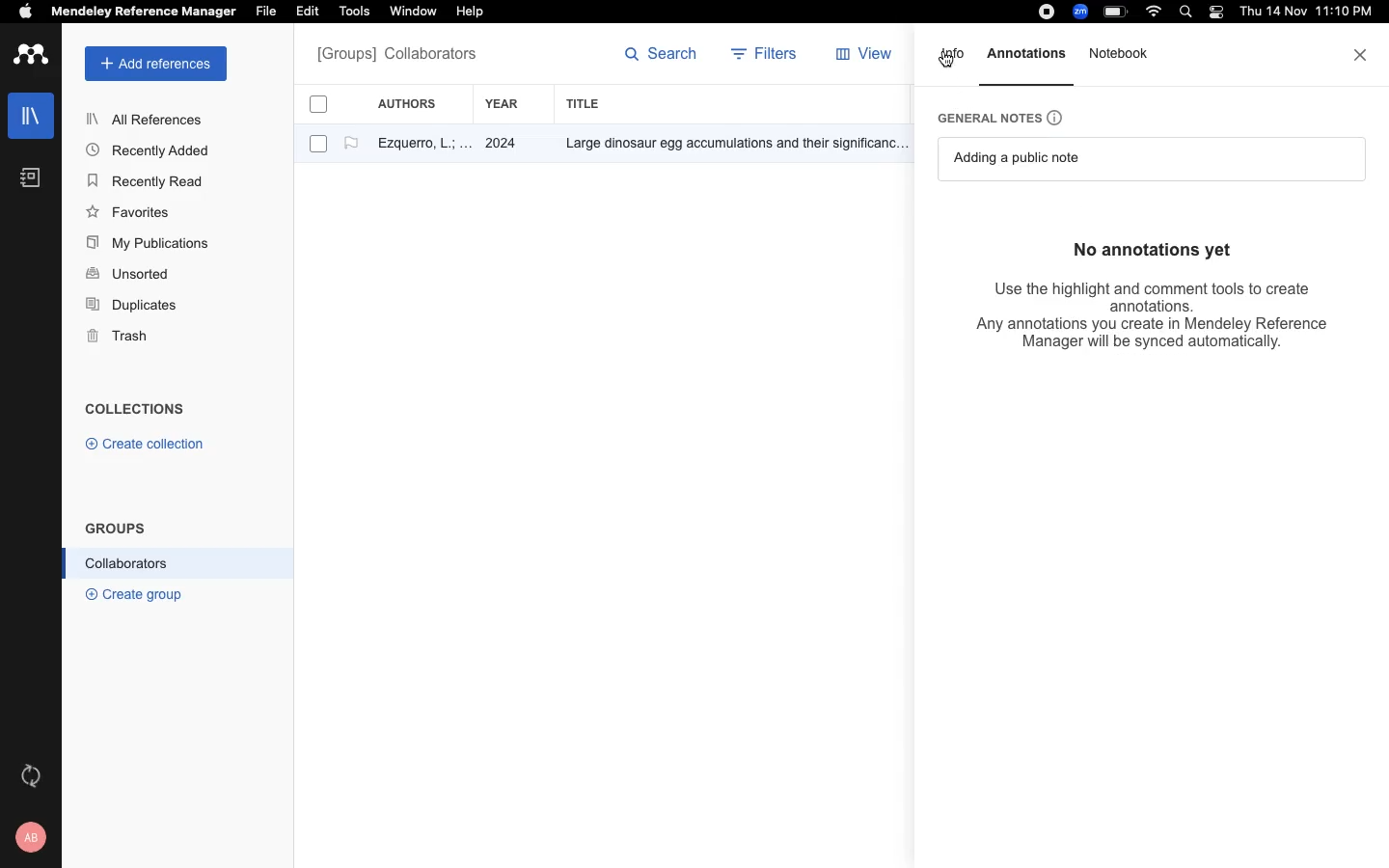 This screenshot has width=1389, height=868. What do you see at coordinates (127, 563) in the screenshot?
I see `Collaborators` at bounding box center [127, 563].